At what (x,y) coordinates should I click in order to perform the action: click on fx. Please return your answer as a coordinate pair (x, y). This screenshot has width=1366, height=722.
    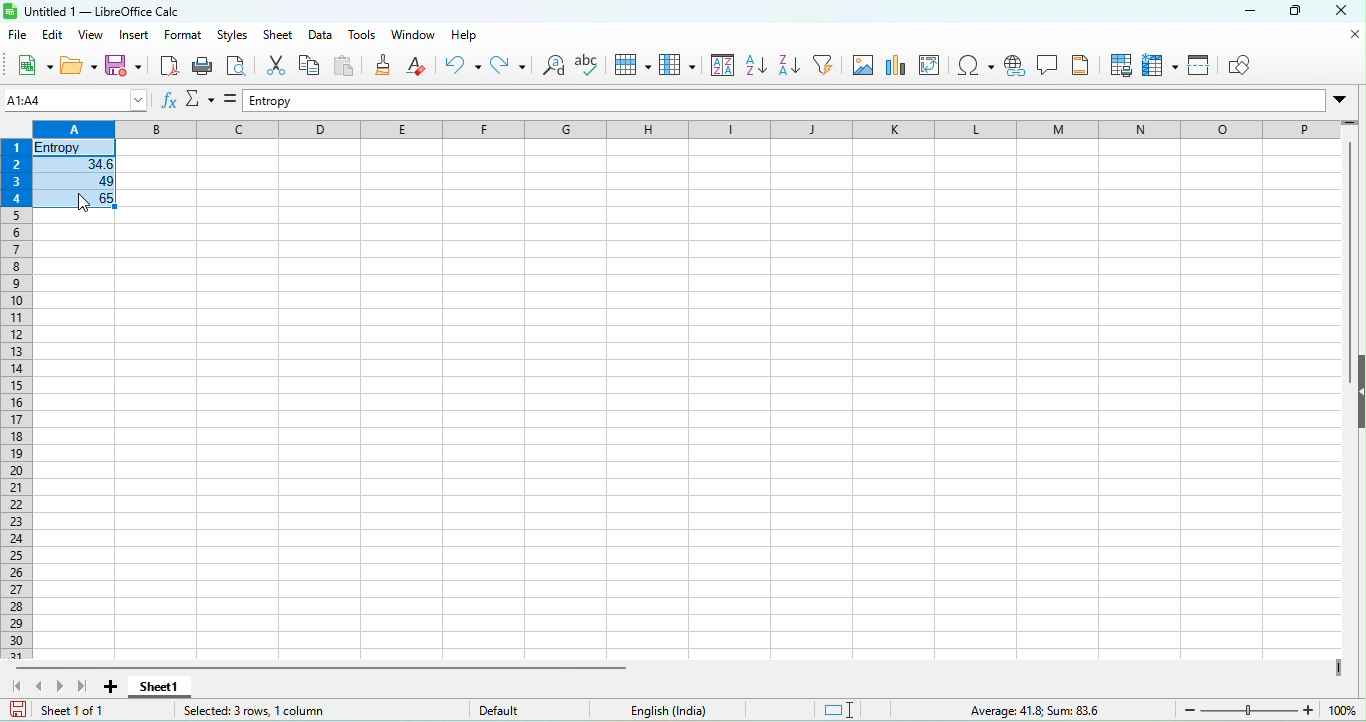
    Looking at the image, I should click on (172, 101).